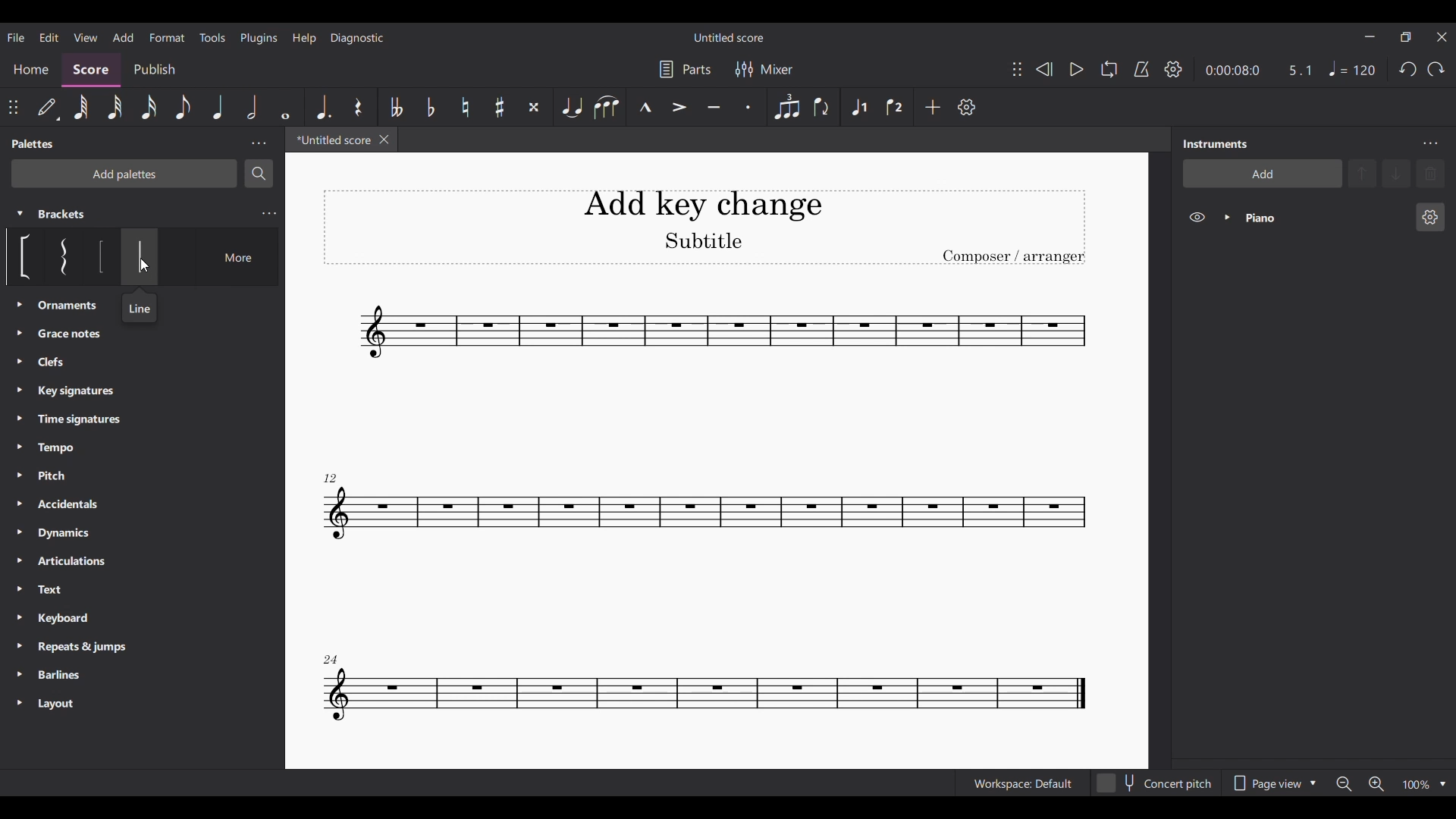  What do you see at coordinates (86, 37) in the screenshot?
I see `View menu` at bounding box center [86, 37].